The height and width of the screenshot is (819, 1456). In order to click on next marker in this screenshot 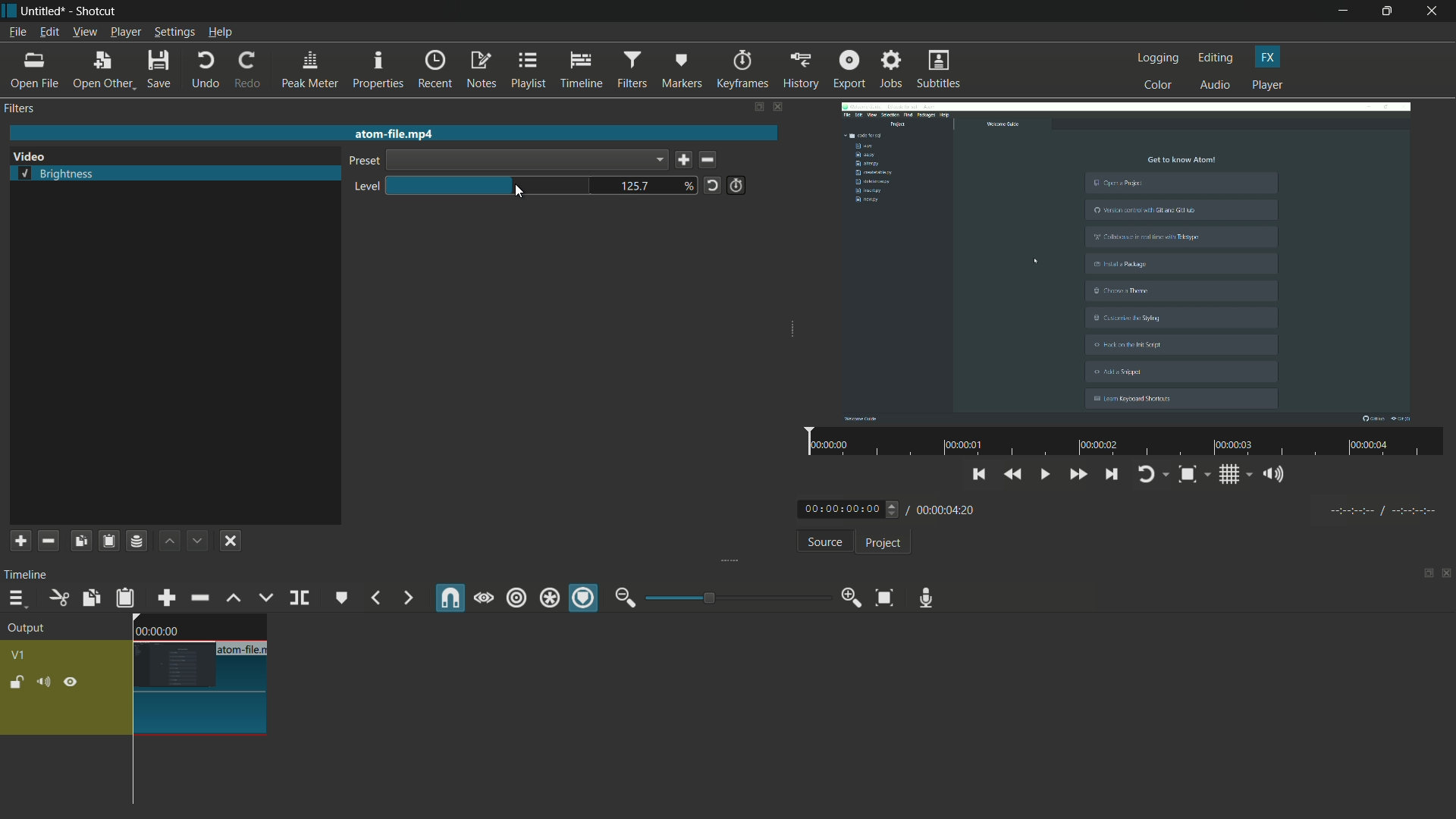, I will do `click(406, 598)`.